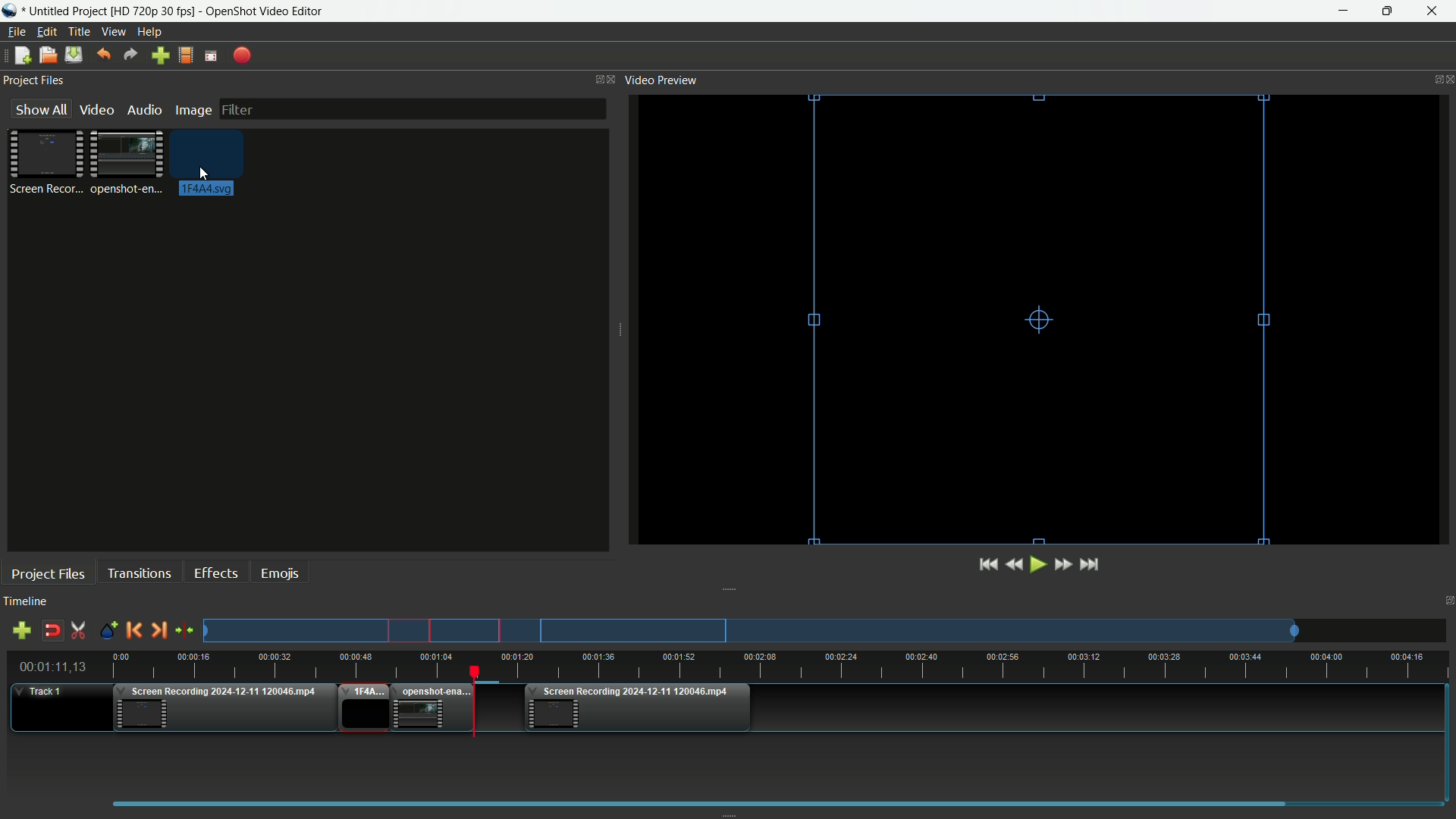 This screenshot has height=819, width=1456. What do you see at coordinates (830, 631) in the screenshot?
I see `Preview track one` at bounding box center [830, 631].